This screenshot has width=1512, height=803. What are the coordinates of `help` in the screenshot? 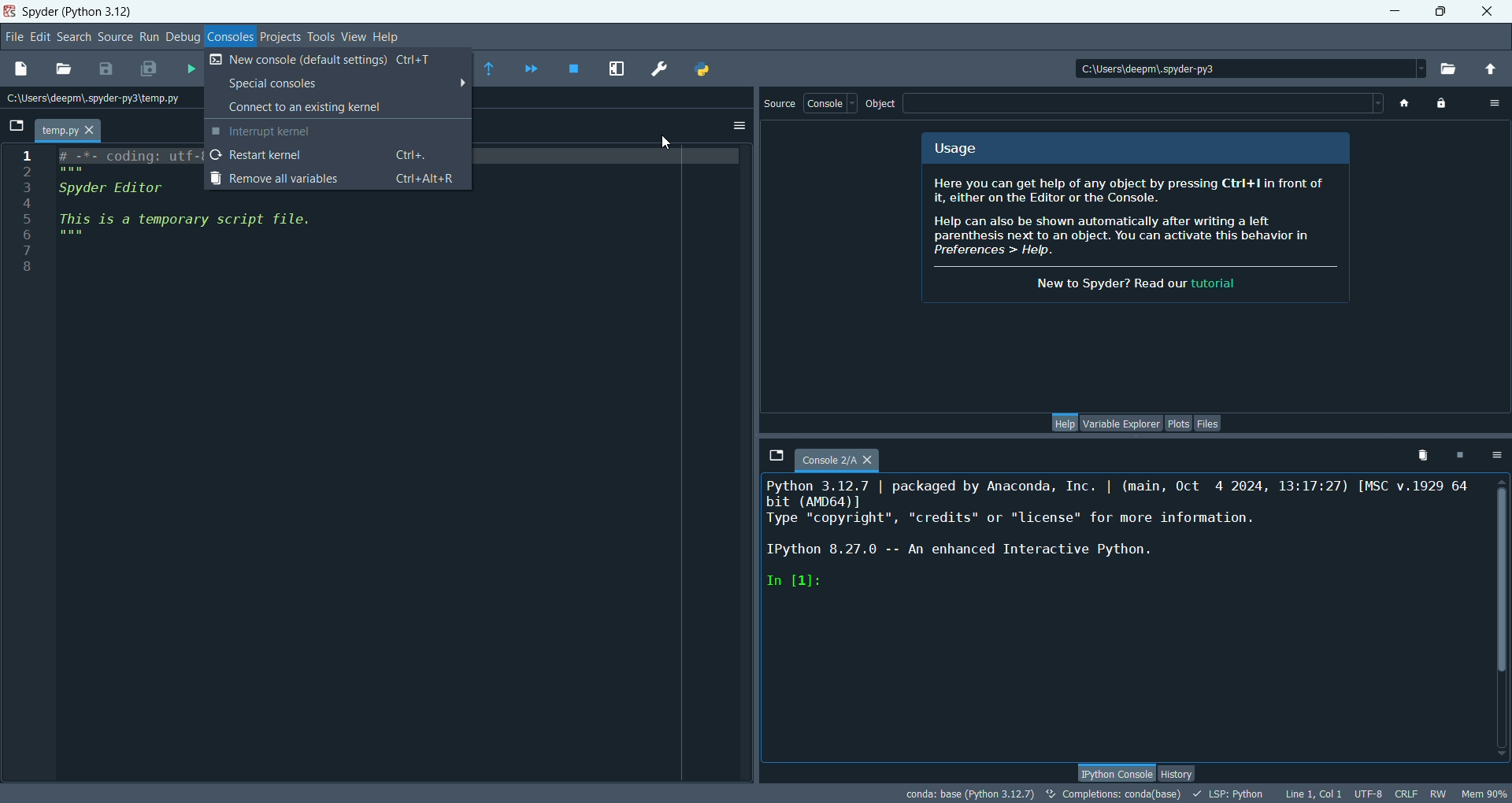 It's located at (389, 37).